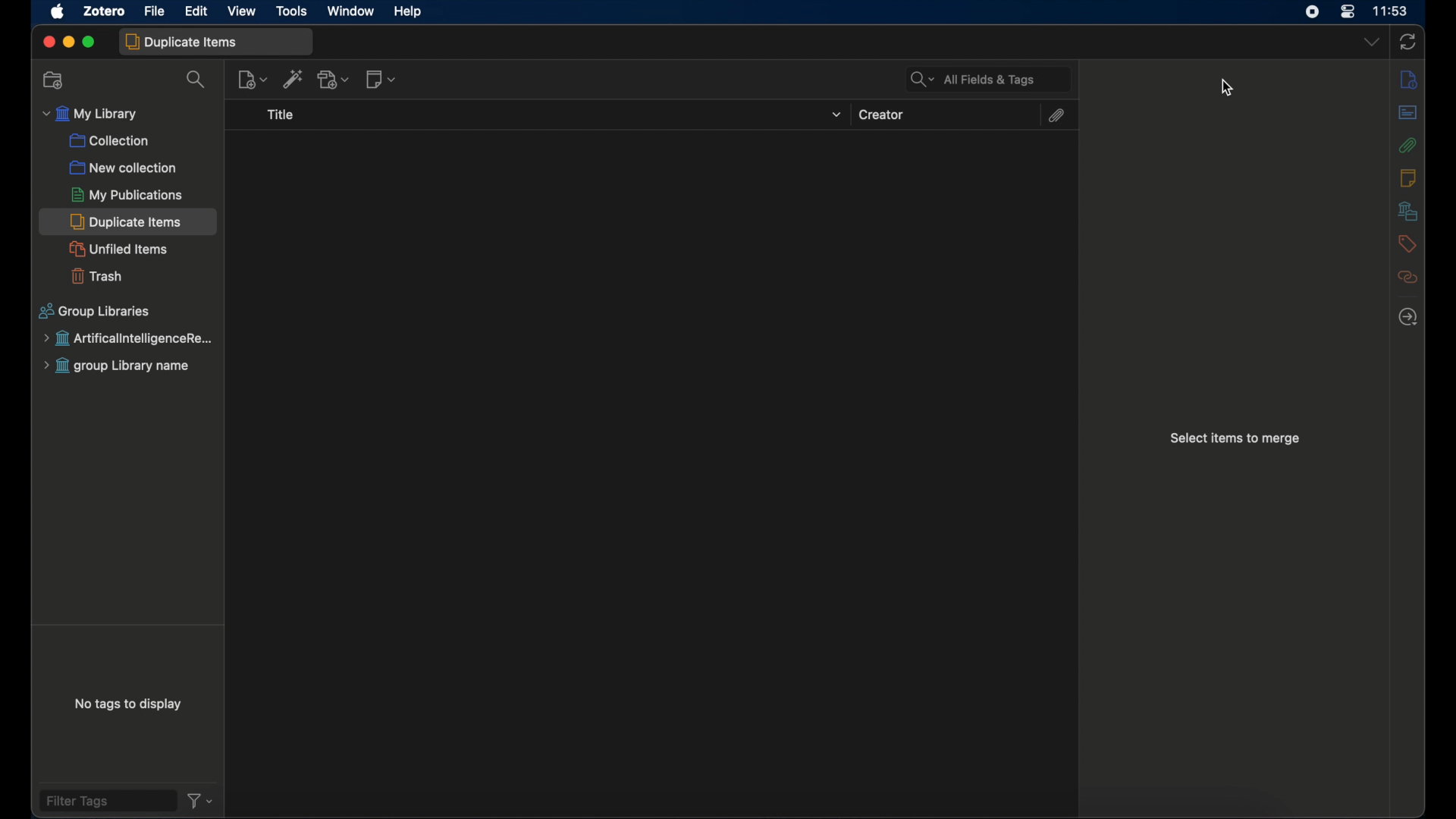 This screenshot has height=819, width=1456. I want to click on file, so click(156, 11).